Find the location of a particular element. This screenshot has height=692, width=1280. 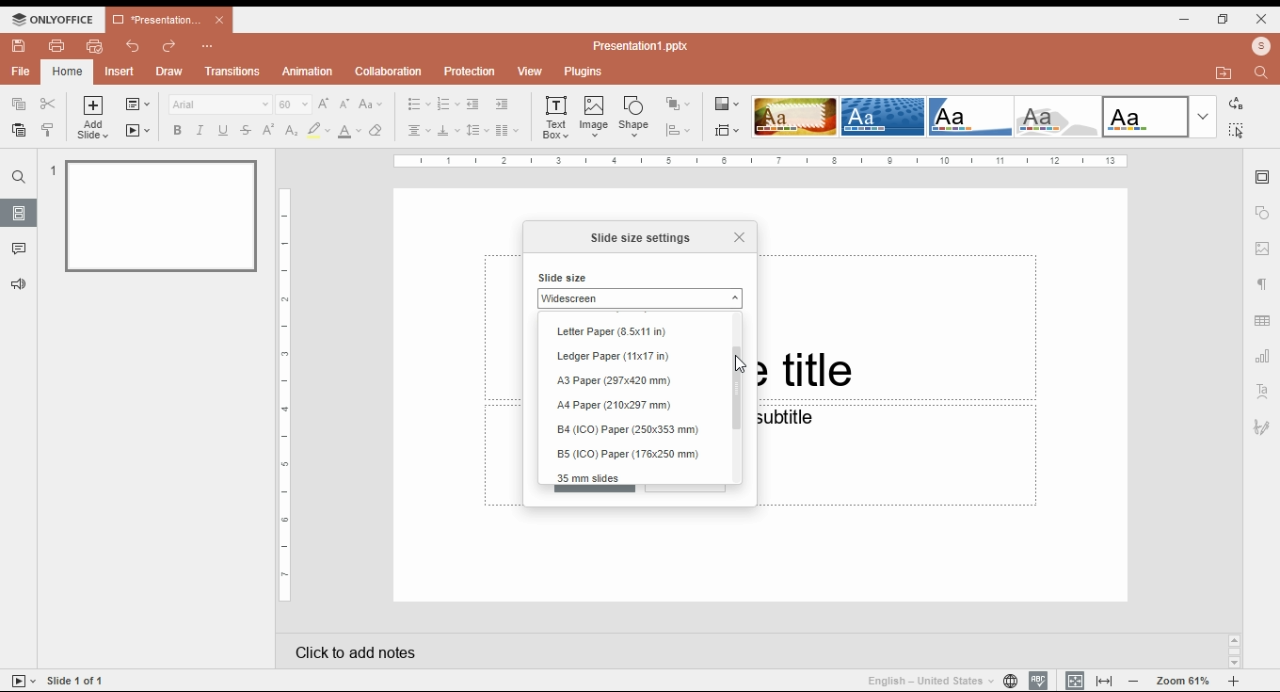

*Presentation1 is located at coordinates (169, 20).